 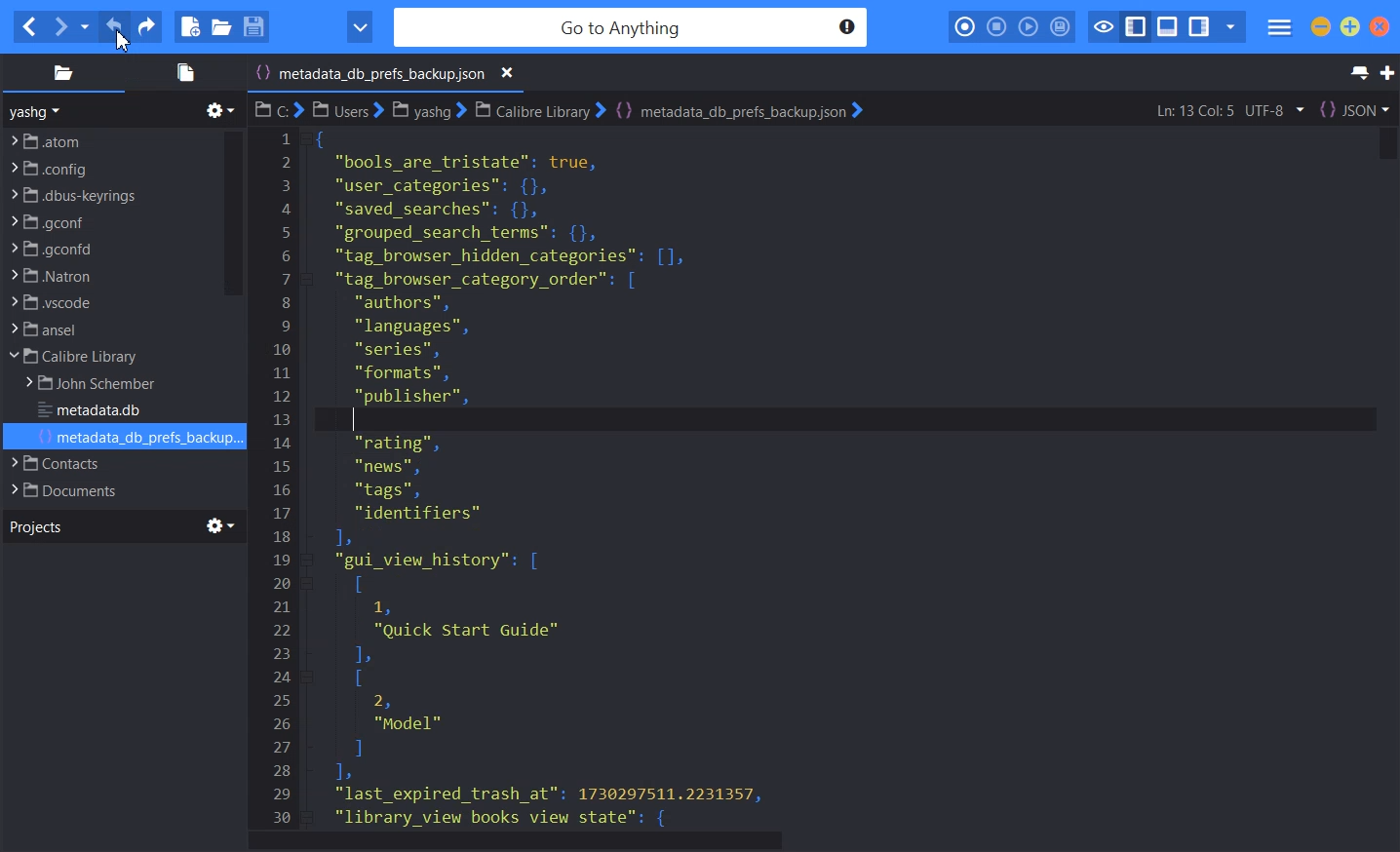 I want to click on File, so click(x=108, y=275).